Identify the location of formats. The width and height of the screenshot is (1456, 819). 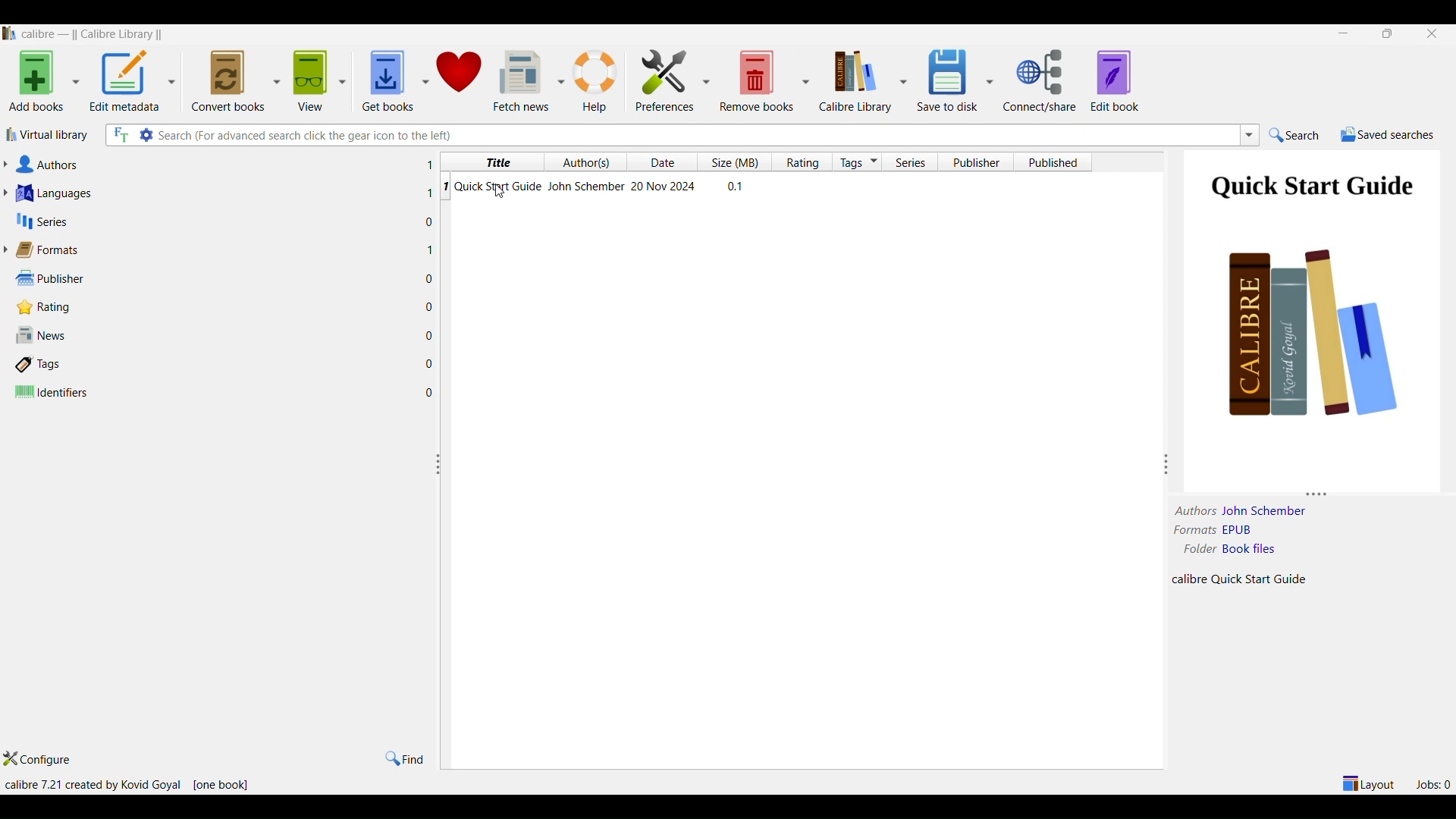
(218, 249).